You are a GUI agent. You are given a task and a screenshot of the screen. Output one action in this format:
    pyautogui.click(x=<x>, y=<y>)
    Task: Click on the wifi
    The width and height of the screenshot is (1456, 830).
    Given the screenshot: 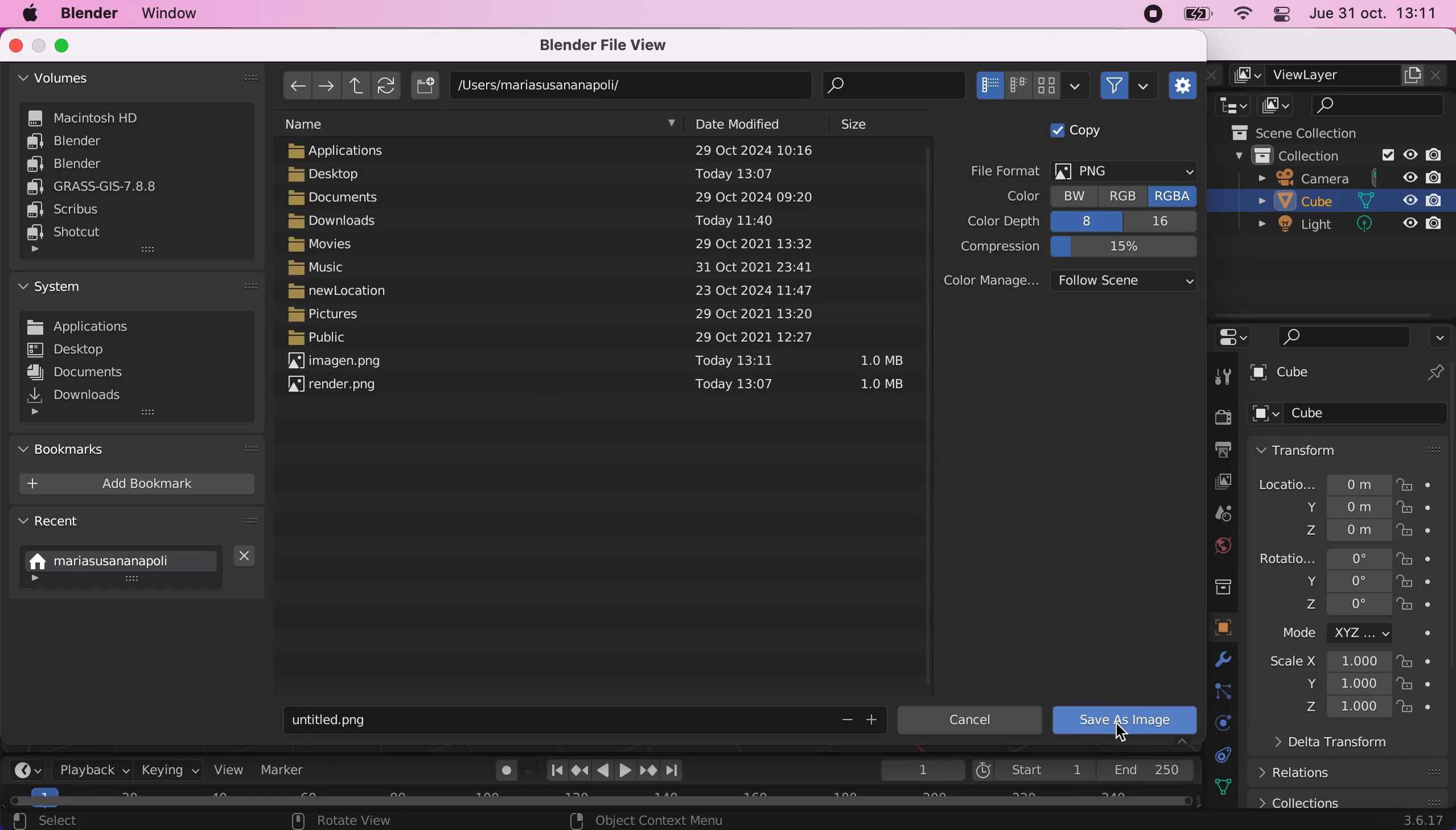 What is the action you would take?
    pyautogui.click(x=1245, y=14)
    